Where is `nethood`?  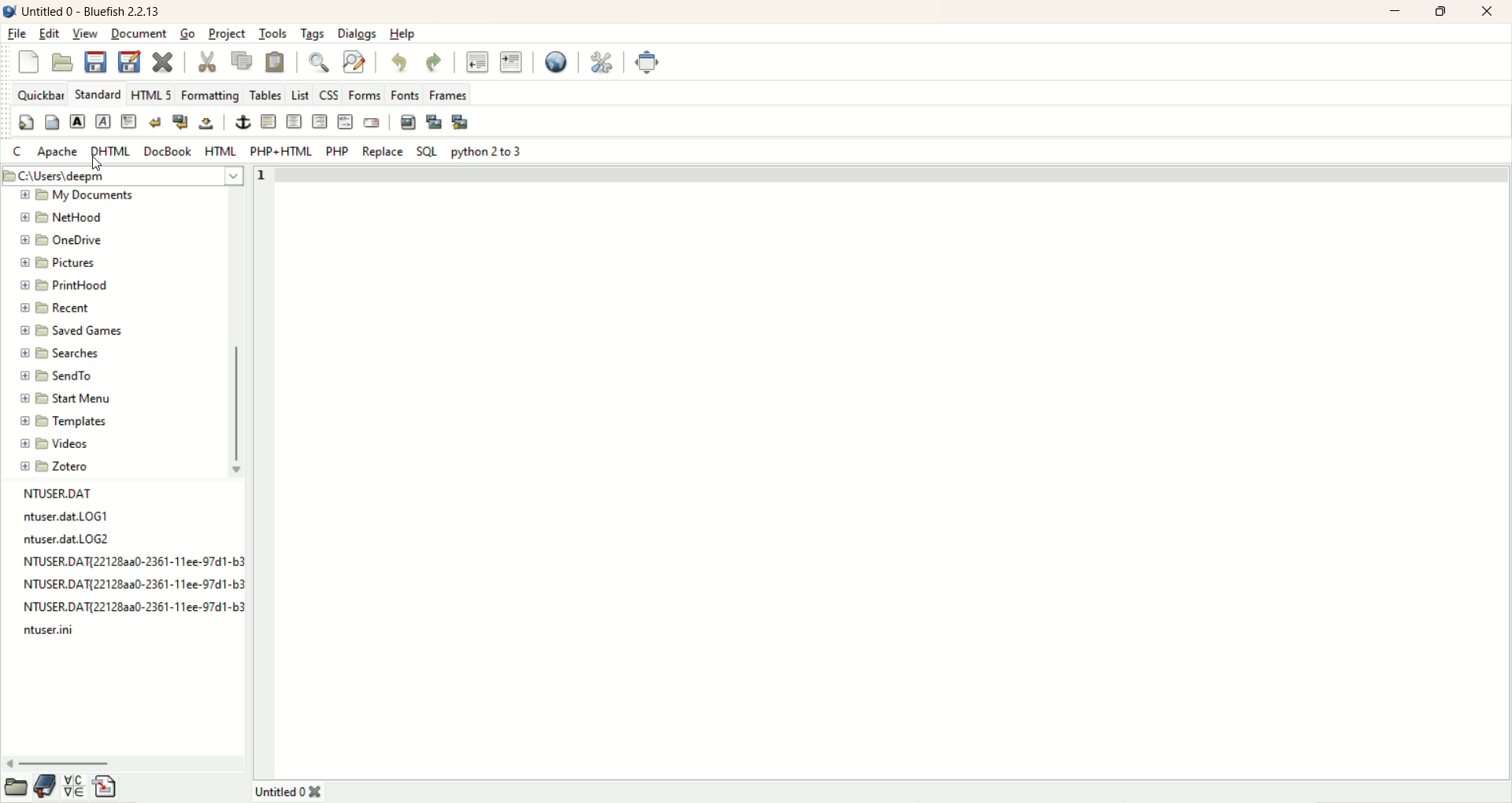 nethood is located at coordinates (61, 218).